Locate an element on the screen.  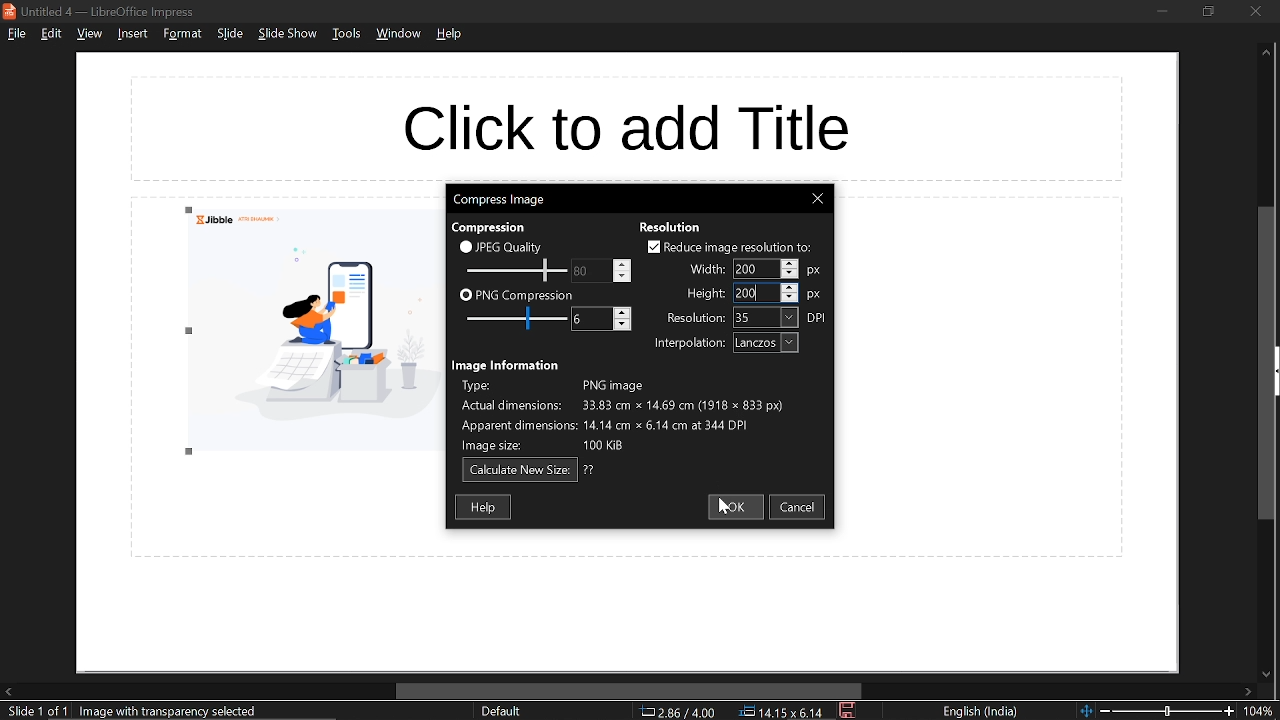
restore down is located at coordinates (1207, 11).